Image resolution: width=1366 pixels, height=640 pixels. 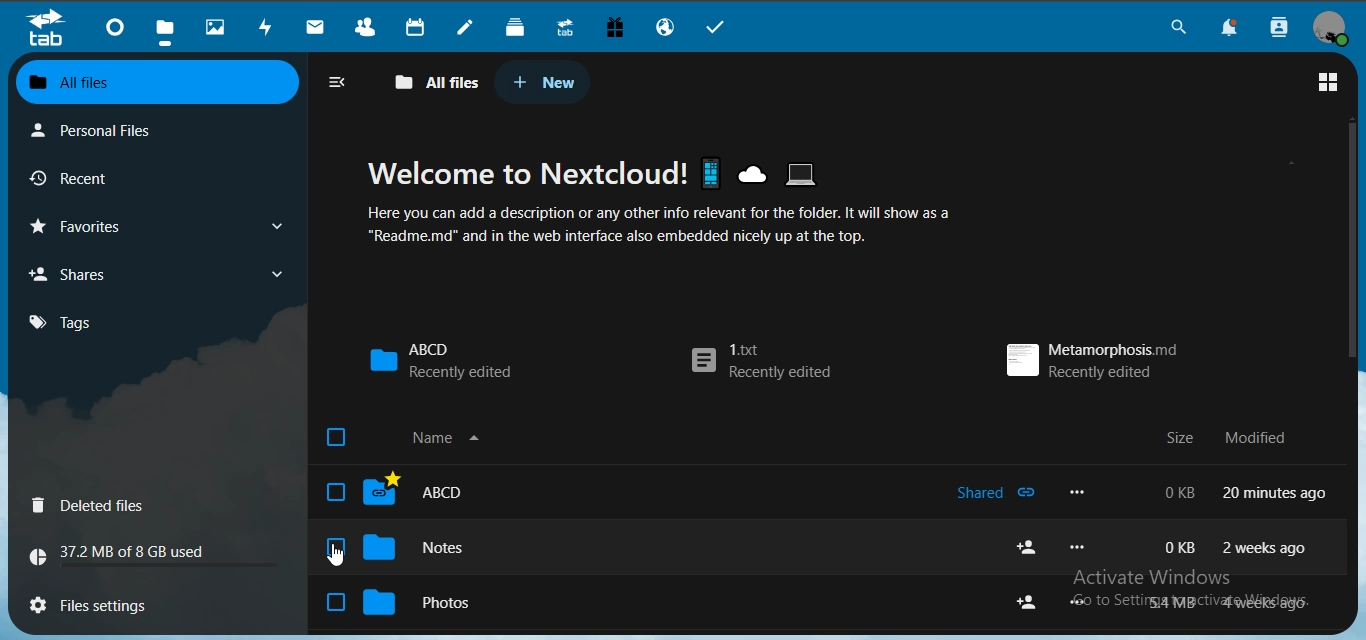 What do you see at coordinates (270, 27) in the screenshot?
I see `activity` at bounding box center [270, 27].